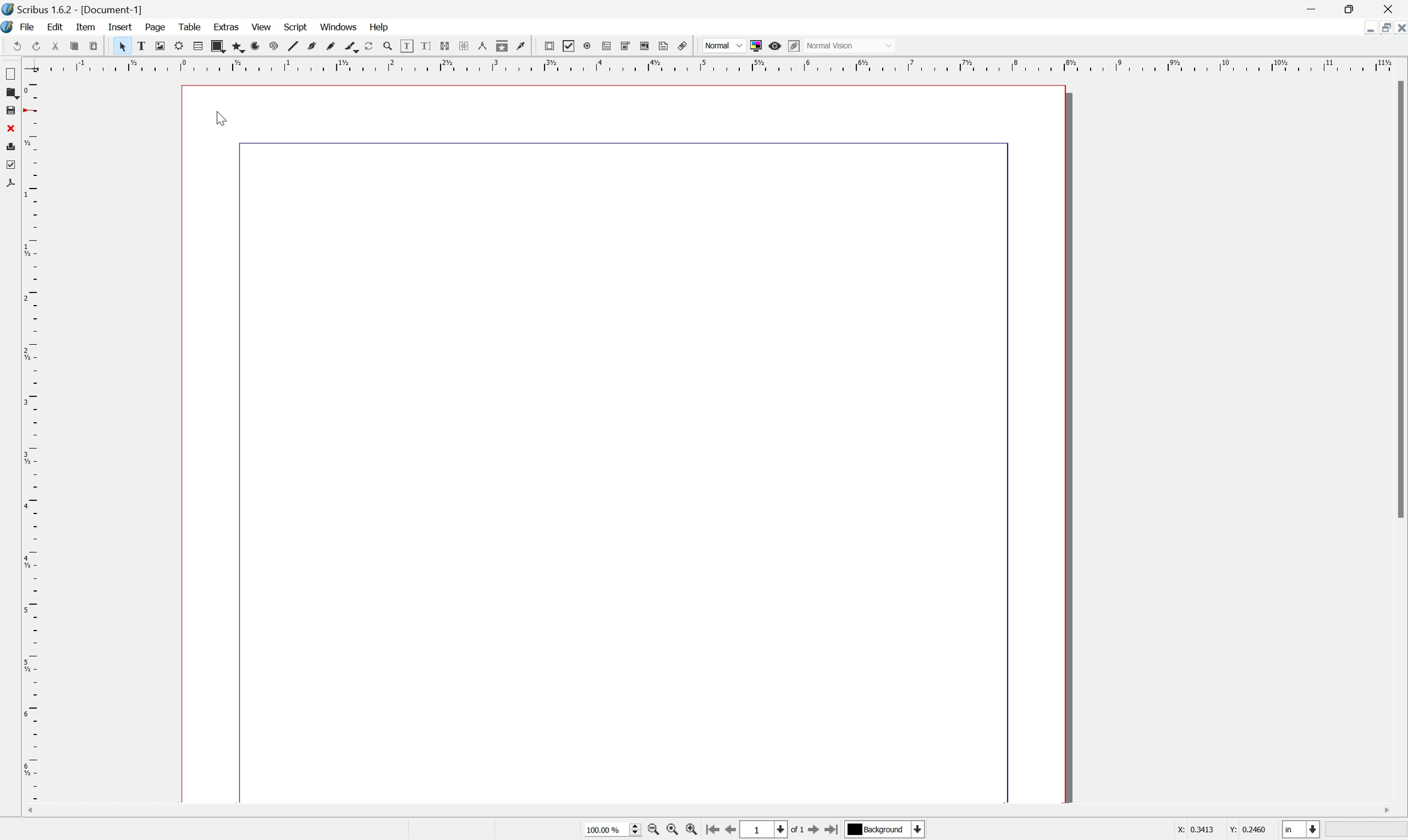 This screenshot has width=1408, height=840. What do you see at coordinates (1370, 28) in the screenshot?
I see `minimize` at bounding box center [1370, 28].